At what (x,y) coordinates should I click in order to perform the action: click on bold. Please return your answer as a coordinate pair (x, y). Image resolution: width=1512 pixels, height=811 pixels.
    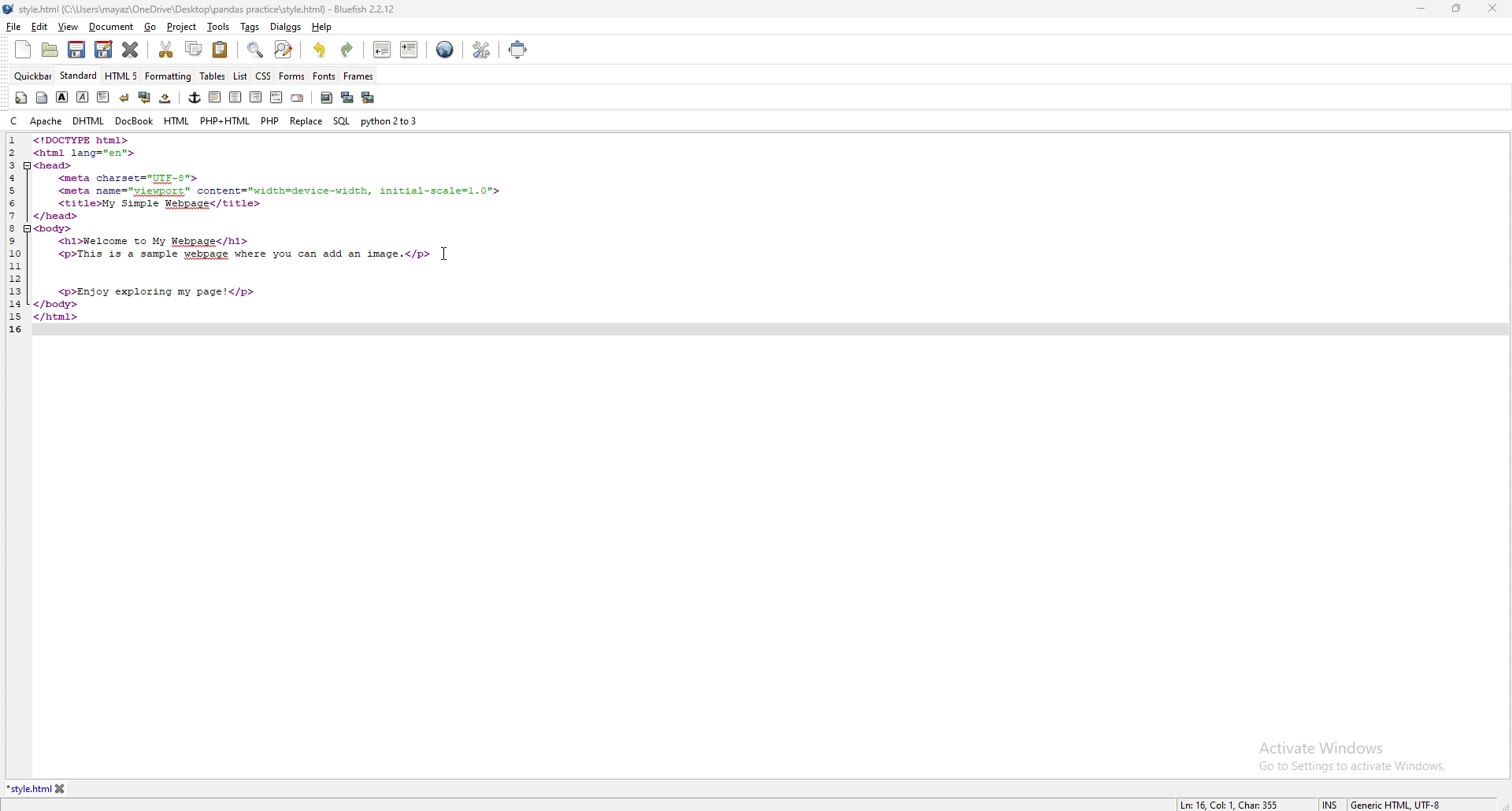
    Looking at the image, I should click on (63, 97).